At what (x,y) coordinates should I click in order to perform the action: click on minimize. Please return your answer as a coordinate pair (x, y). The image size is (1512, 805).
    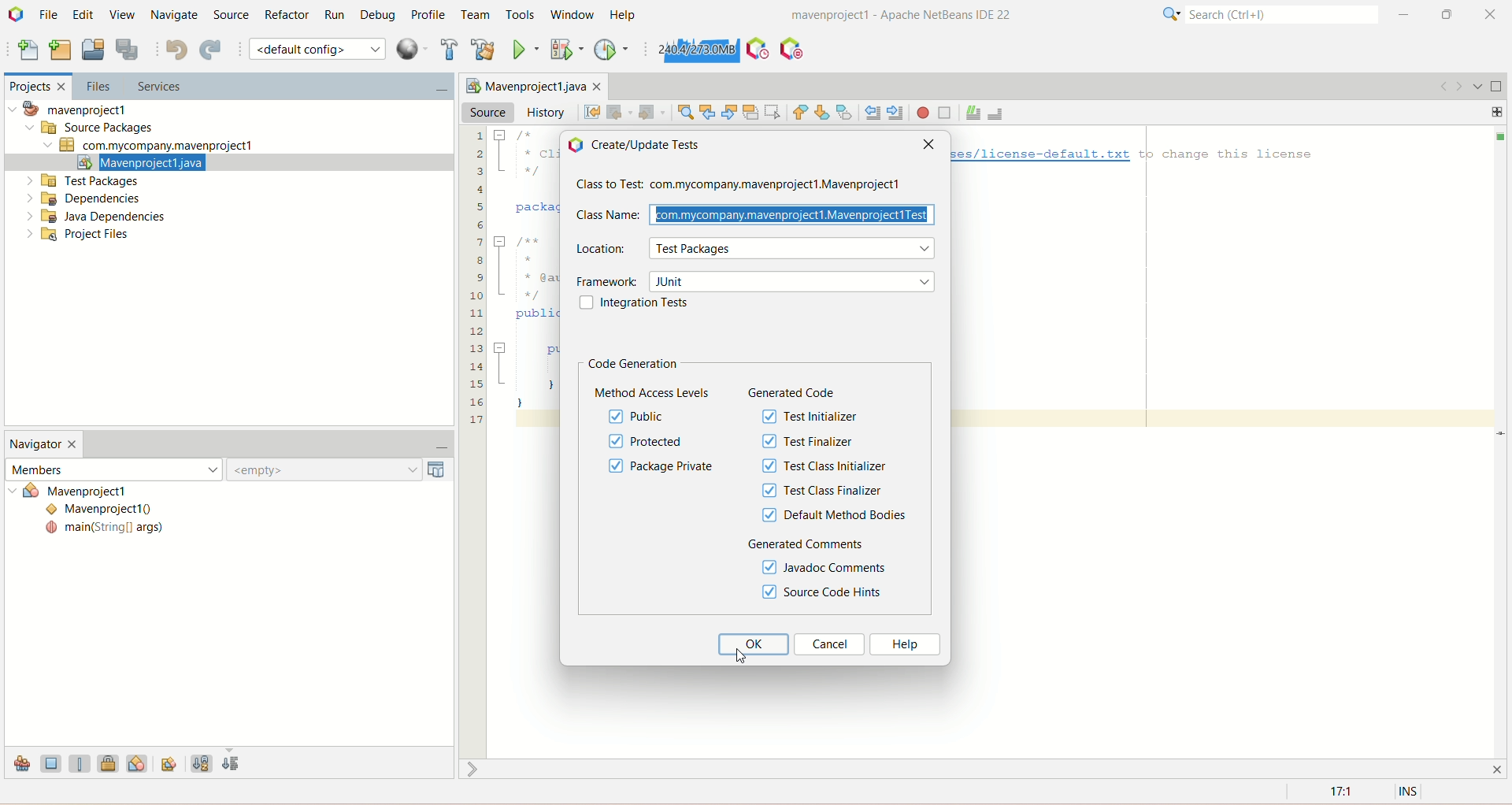
    Looking at the image, I should click on (1404, 14).